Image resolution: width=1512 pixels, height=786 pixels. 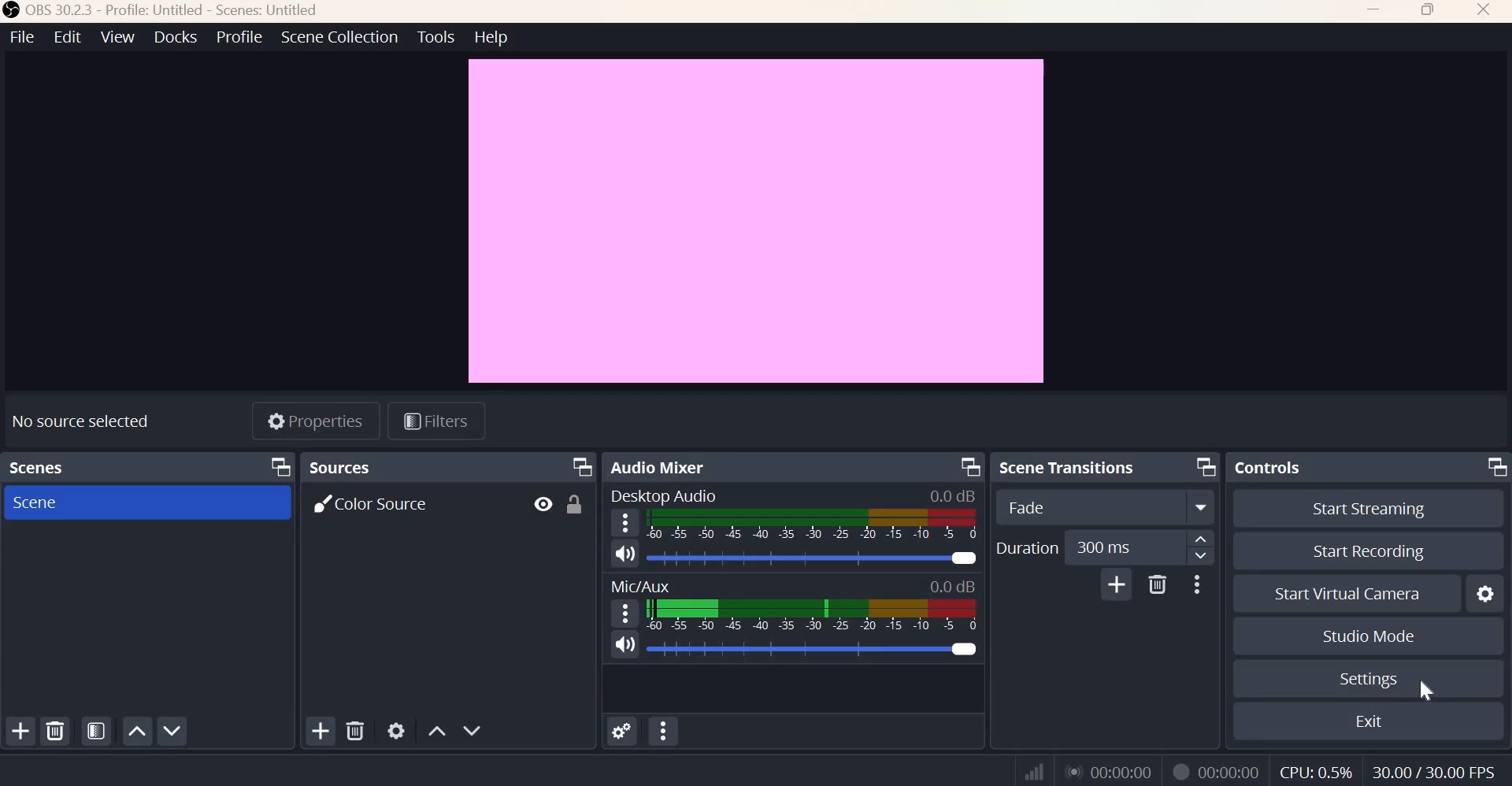 I want to click on Frame Rate (FPS), so click(x=1314, y=768).